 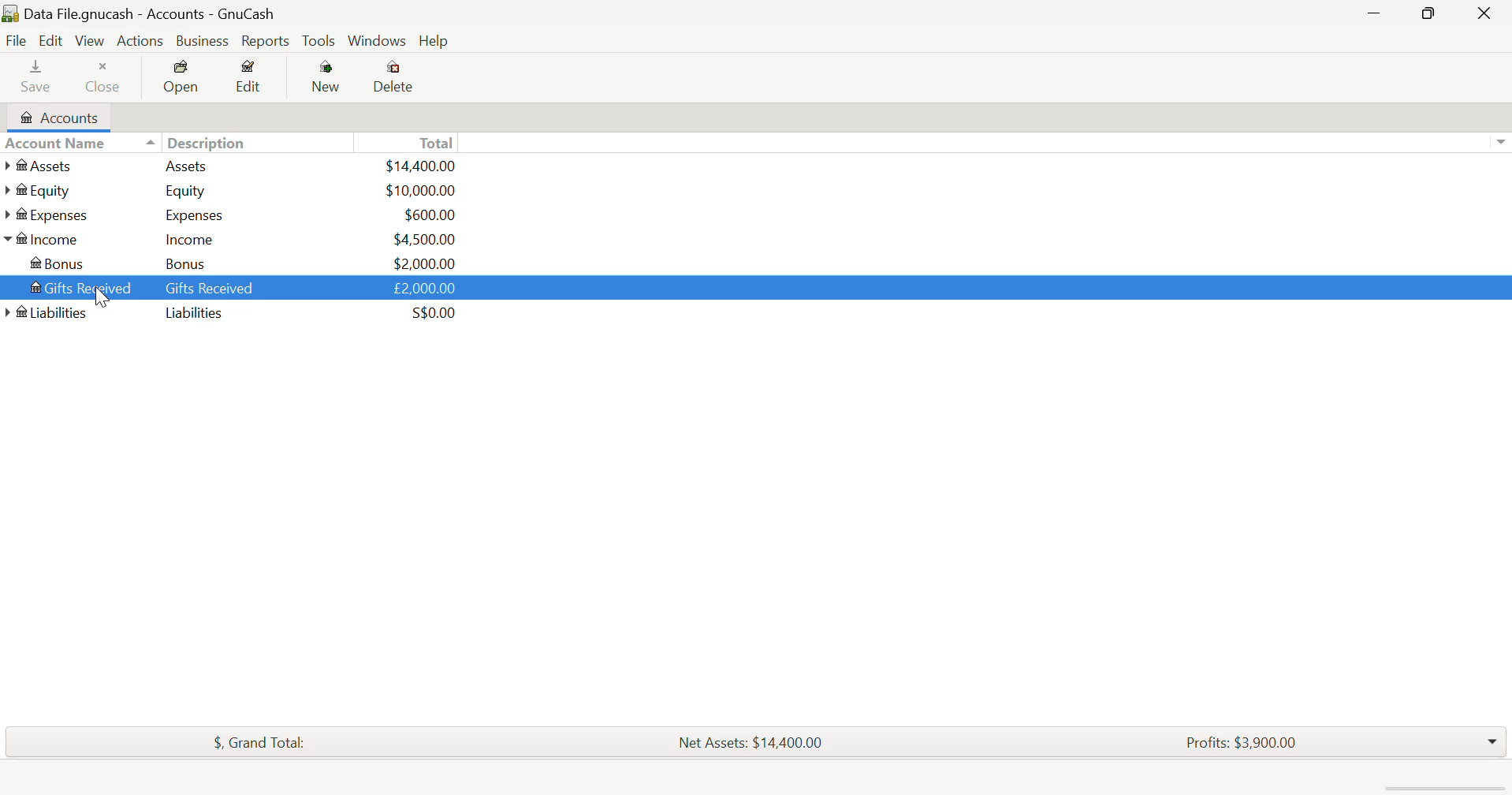 I want to click on Cursor Position, so click(x=100, y=291).